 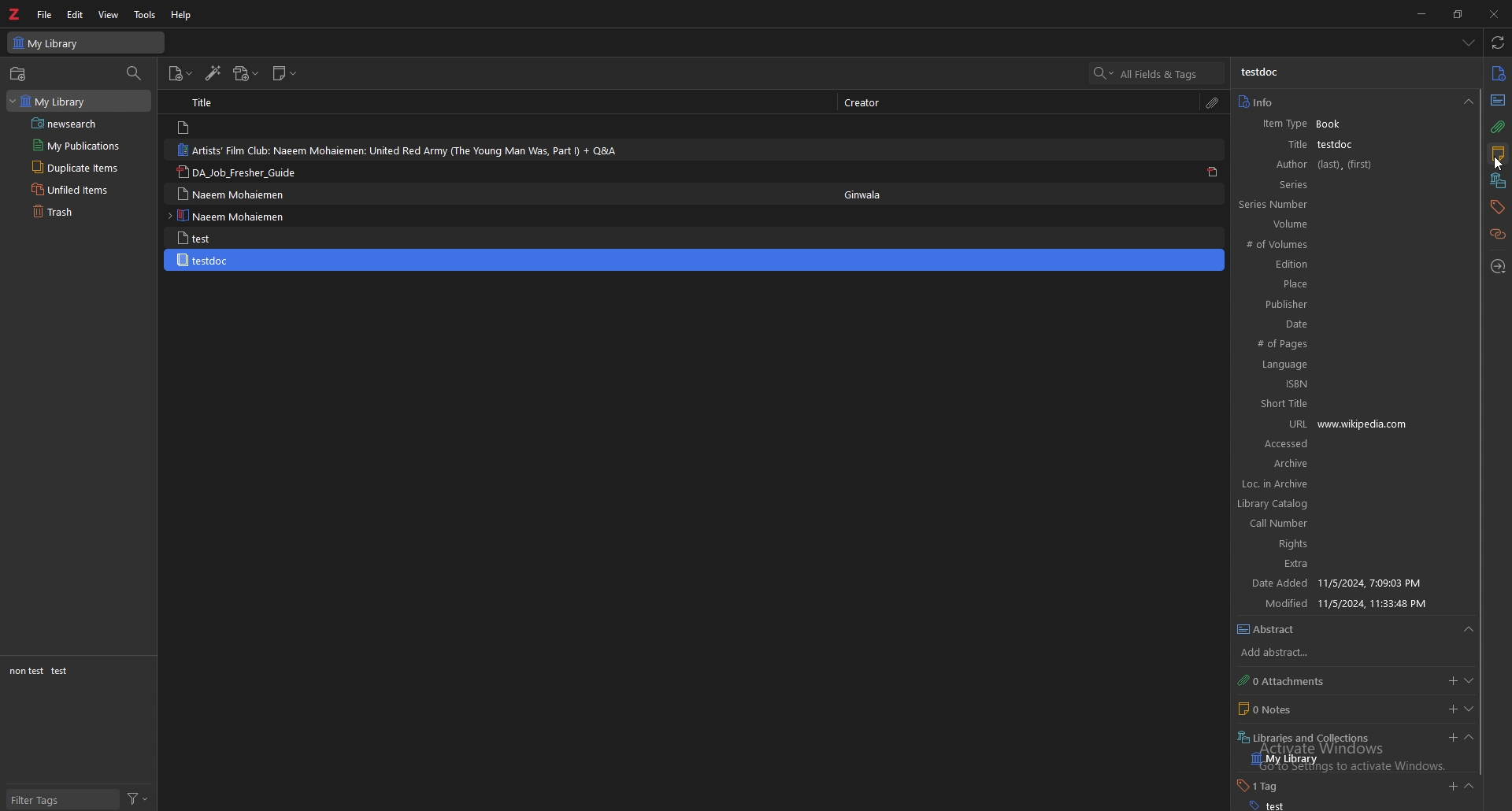 I want to click on tools, so click(x=144, y=14).